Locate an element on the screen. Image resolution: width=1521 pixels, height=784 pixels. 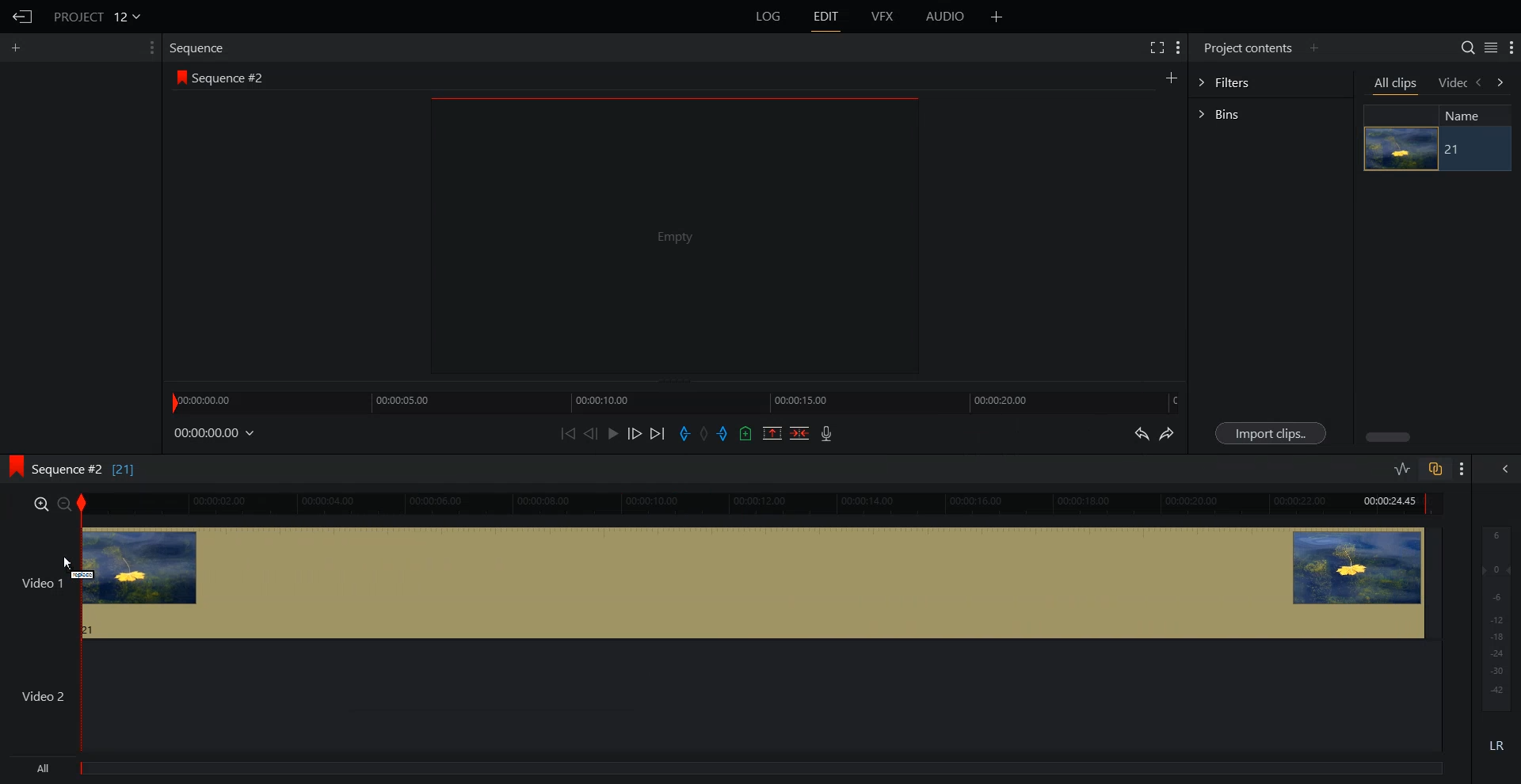
Import Clips is located at coordinates (1271, 432).